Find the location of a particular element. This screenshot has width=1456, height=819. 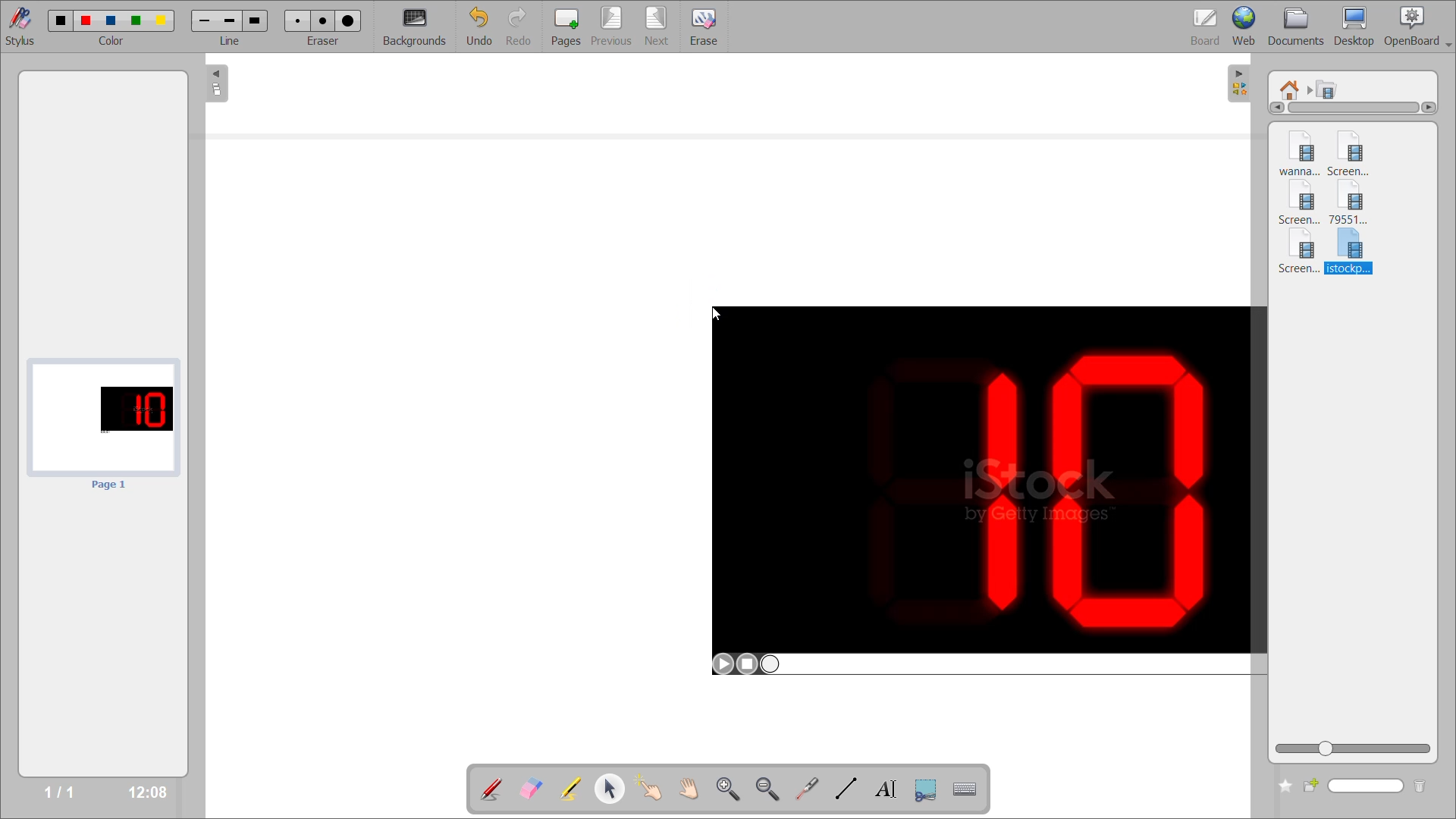

scroll page is located at coordinates (687, 786).